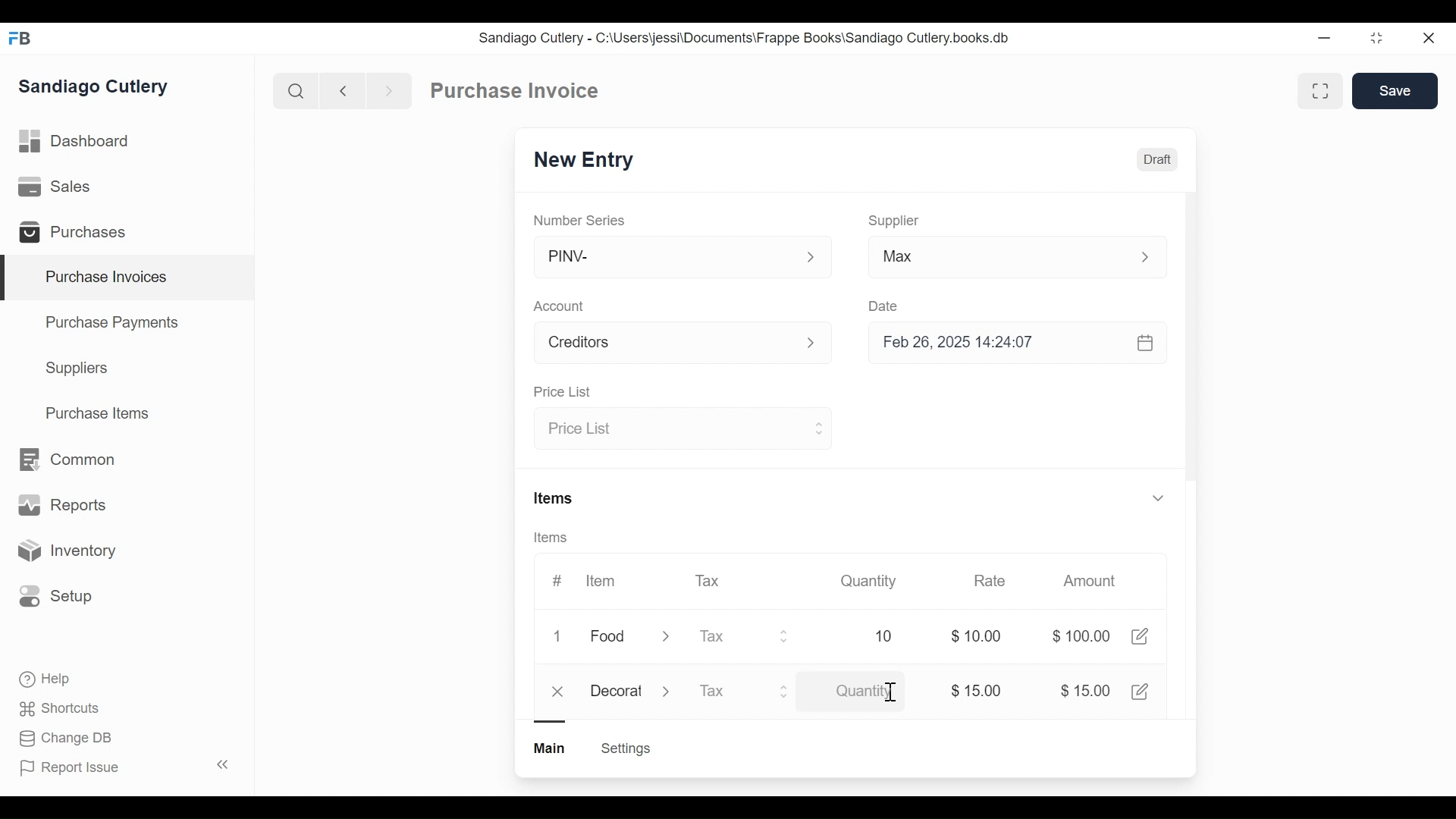 The width and height of the screenshot is (1456, 819). I want to click on Main, so click(551, 747).